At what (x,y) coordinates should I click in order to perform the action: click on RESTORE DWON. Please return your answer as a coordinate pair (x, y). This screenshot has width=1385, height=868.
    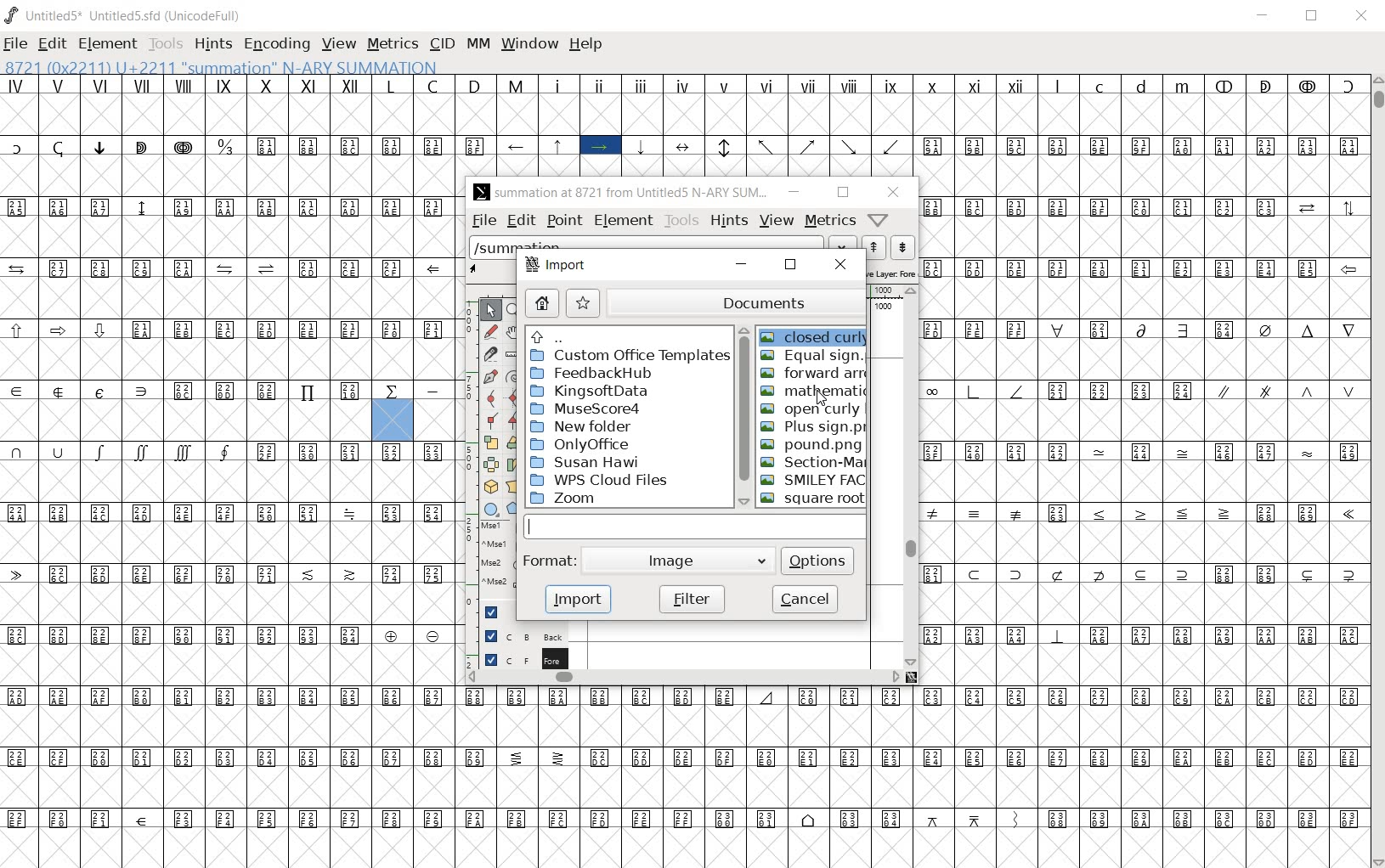
    Looking at the image, I should click on (1312, 17).